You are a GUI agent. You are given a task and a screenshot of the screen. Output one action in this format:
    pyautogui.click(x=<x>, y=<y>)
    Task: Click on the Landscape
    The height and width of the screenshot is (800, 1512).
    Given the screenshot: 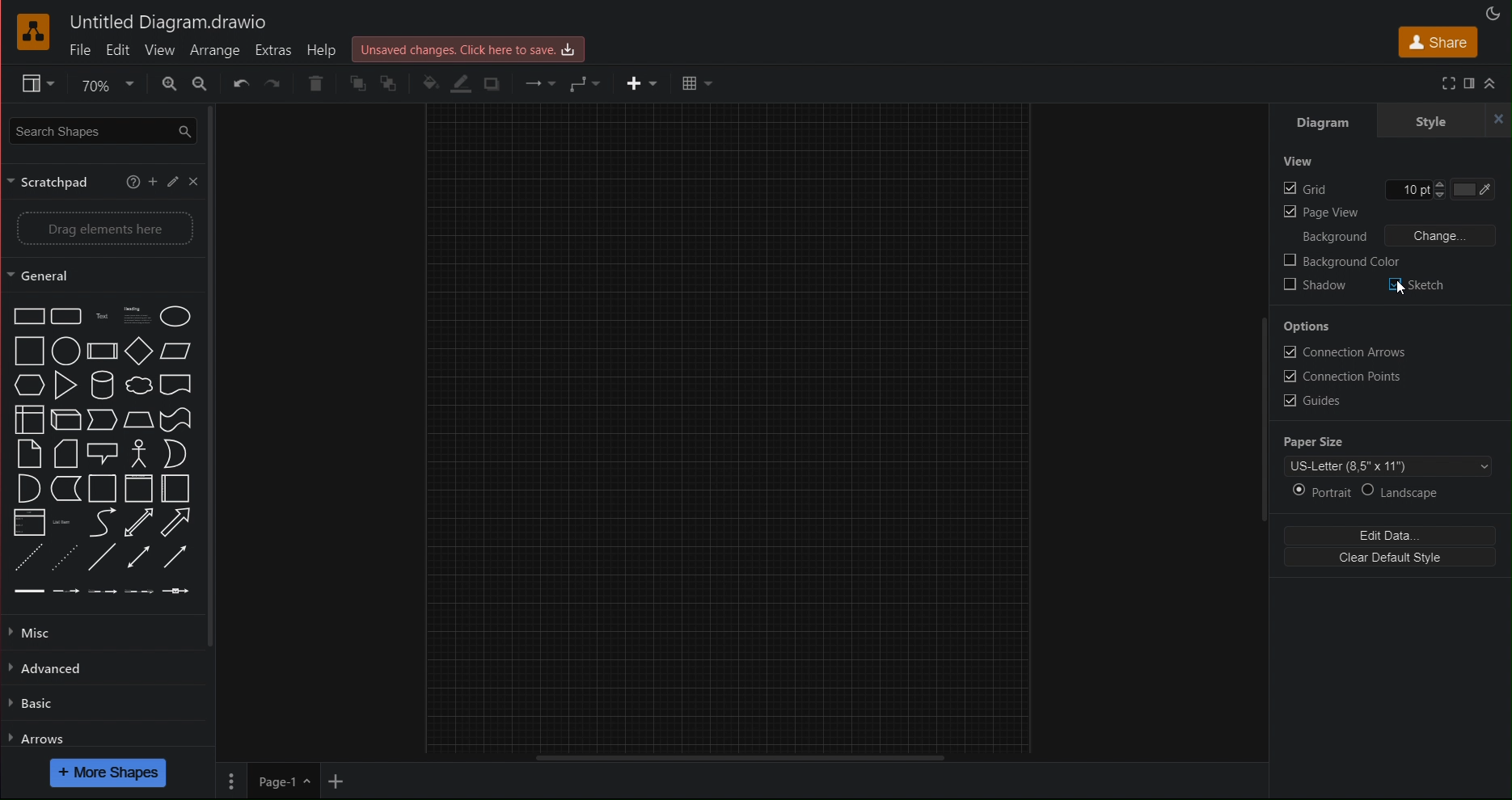 What is the action you would take?
    pyautogui.click(x=1435, y=491)
    